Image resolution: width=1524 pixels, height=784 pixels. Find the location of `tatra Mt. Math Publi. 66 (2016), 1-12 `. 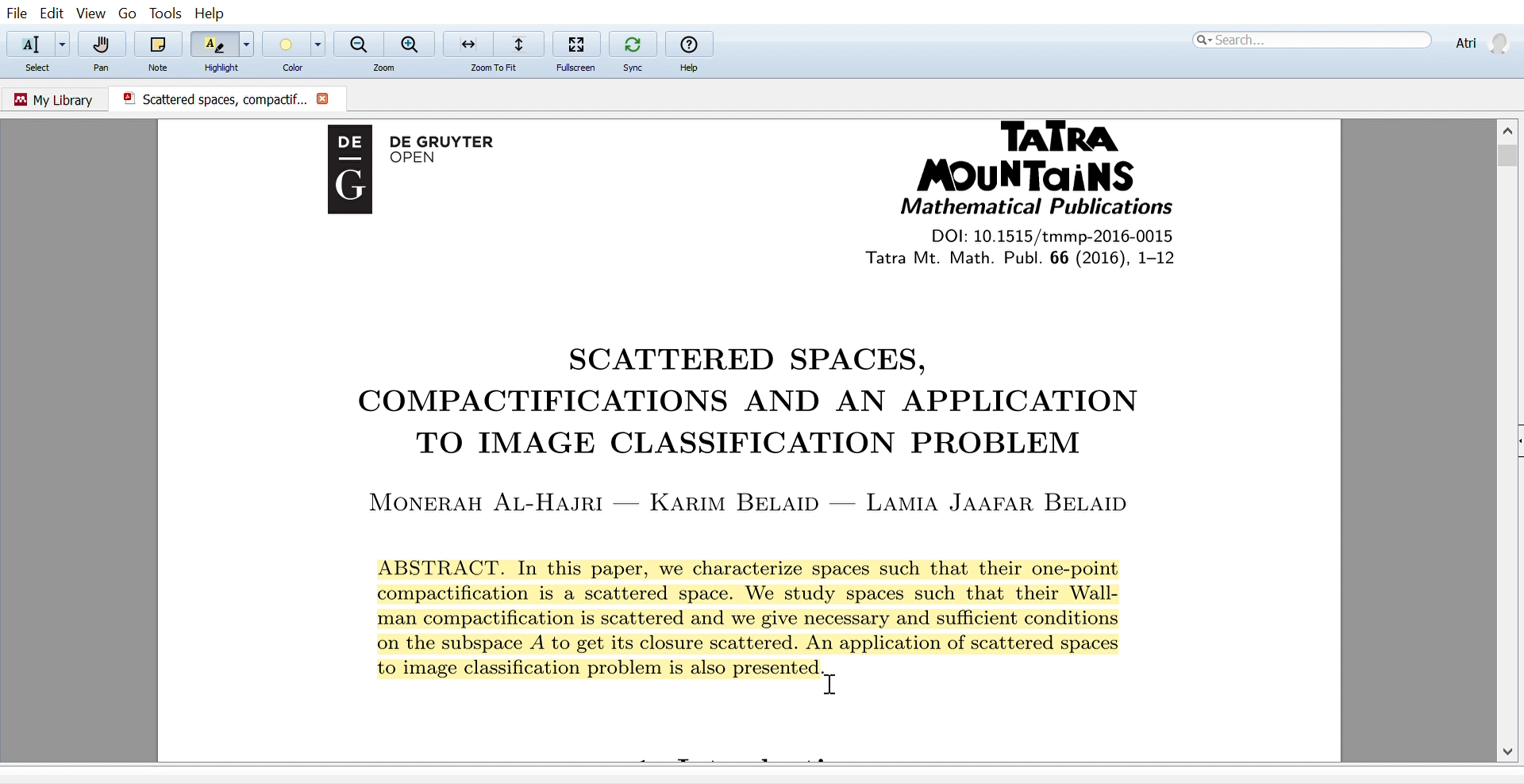

tatra Mt. Math Publi. 66 (2016), 1-12  is located at coordinates (1054, 258).